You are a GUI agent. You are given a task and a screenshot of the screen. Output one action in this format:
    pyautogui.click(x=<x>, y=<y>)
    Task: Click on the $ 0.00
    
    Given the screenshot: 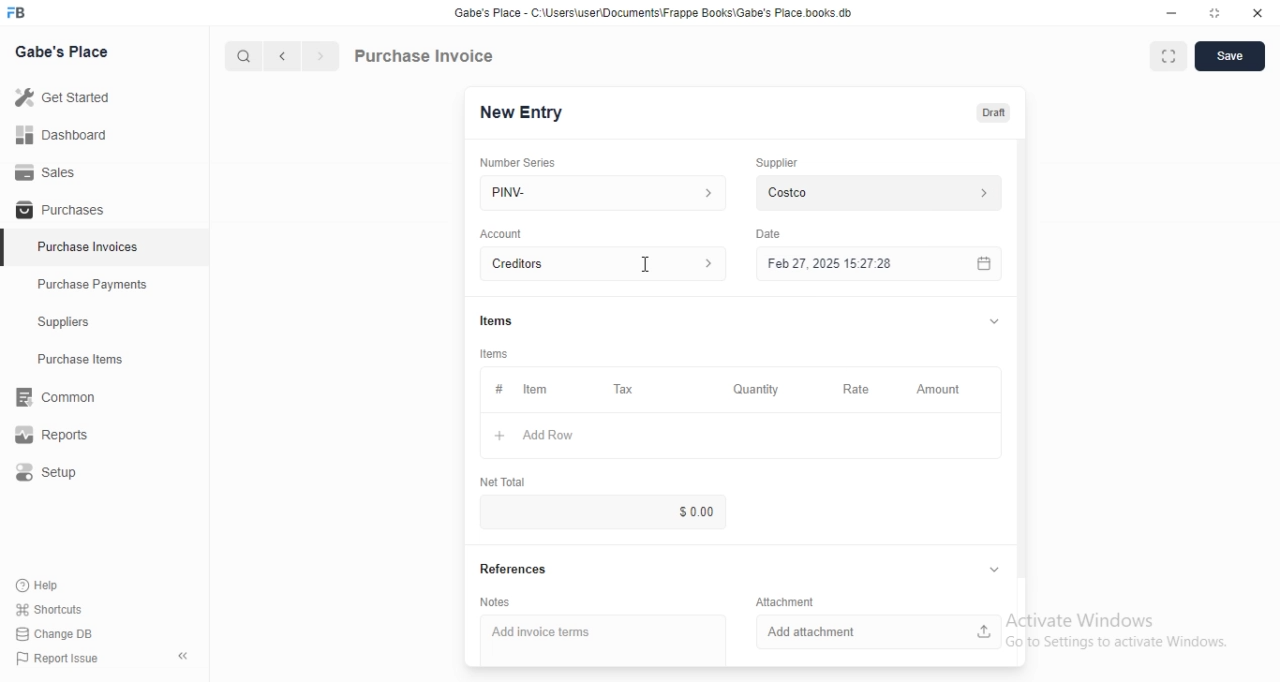 What is the action you would take?
    pyautogui.click(x=602, y=512)
    